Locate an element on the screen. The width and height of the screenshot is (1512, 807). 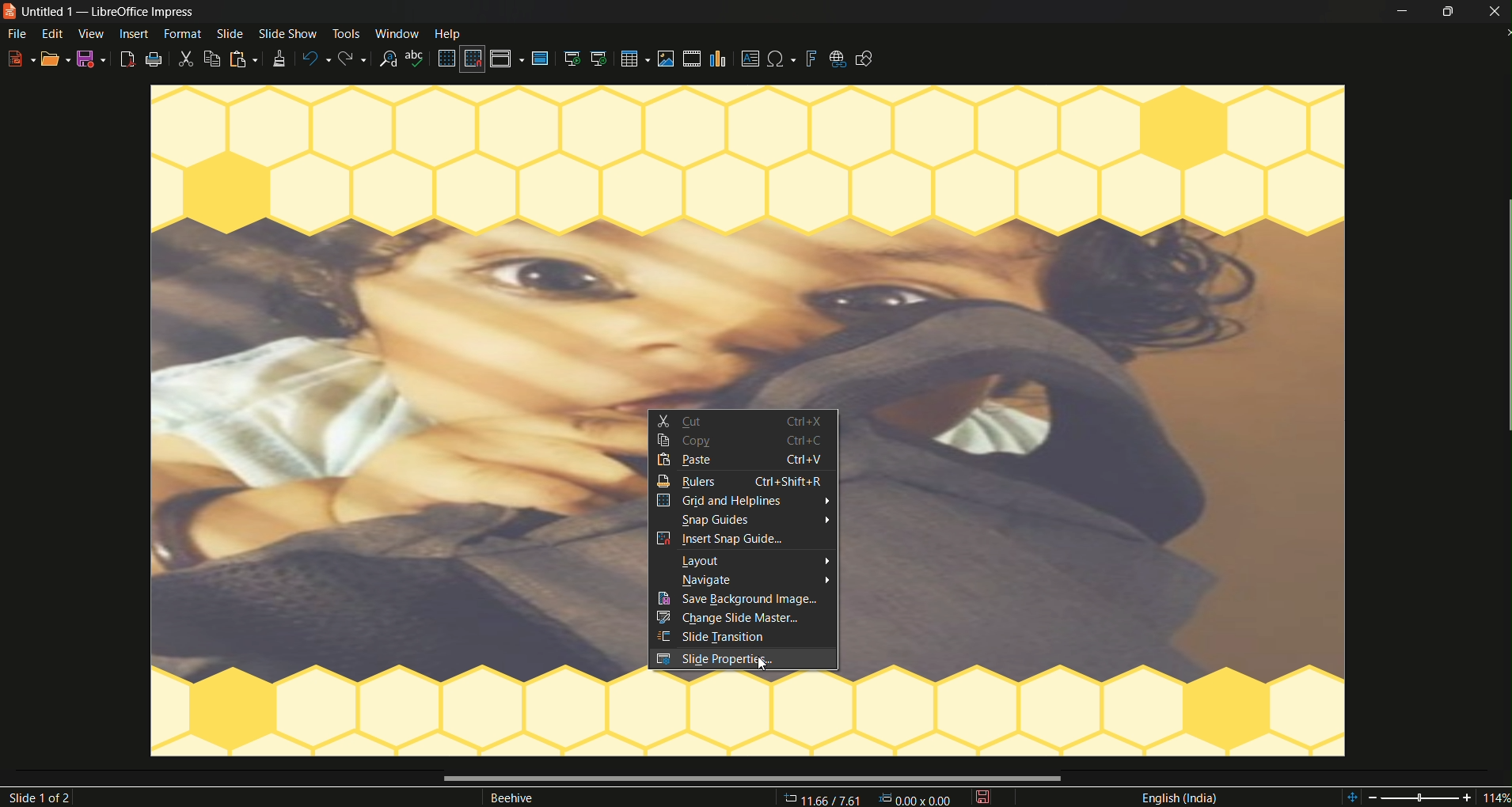
table is located at coordinates (635, 59).